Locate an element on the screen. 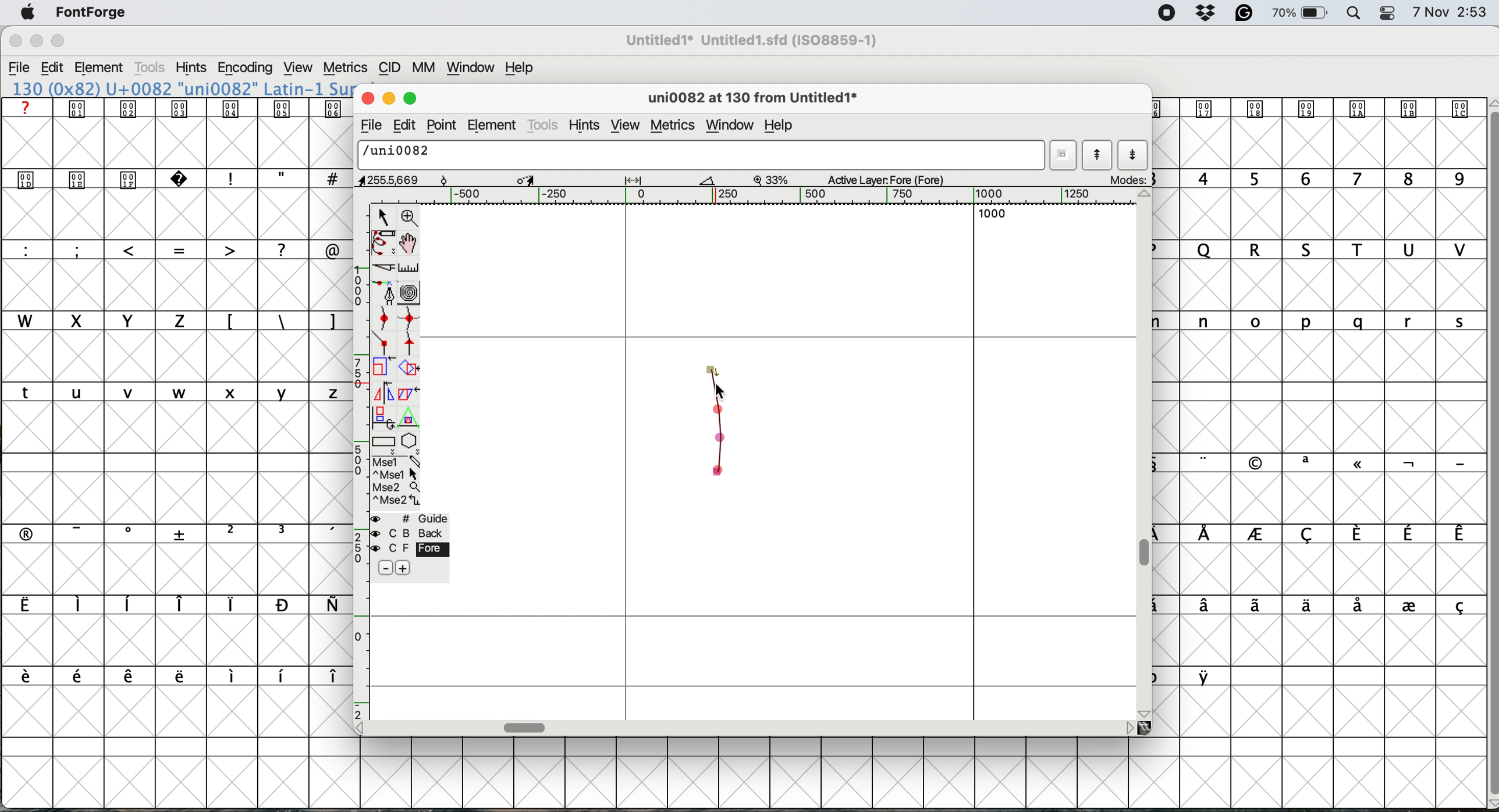  back is located at coordinates (409, 533).